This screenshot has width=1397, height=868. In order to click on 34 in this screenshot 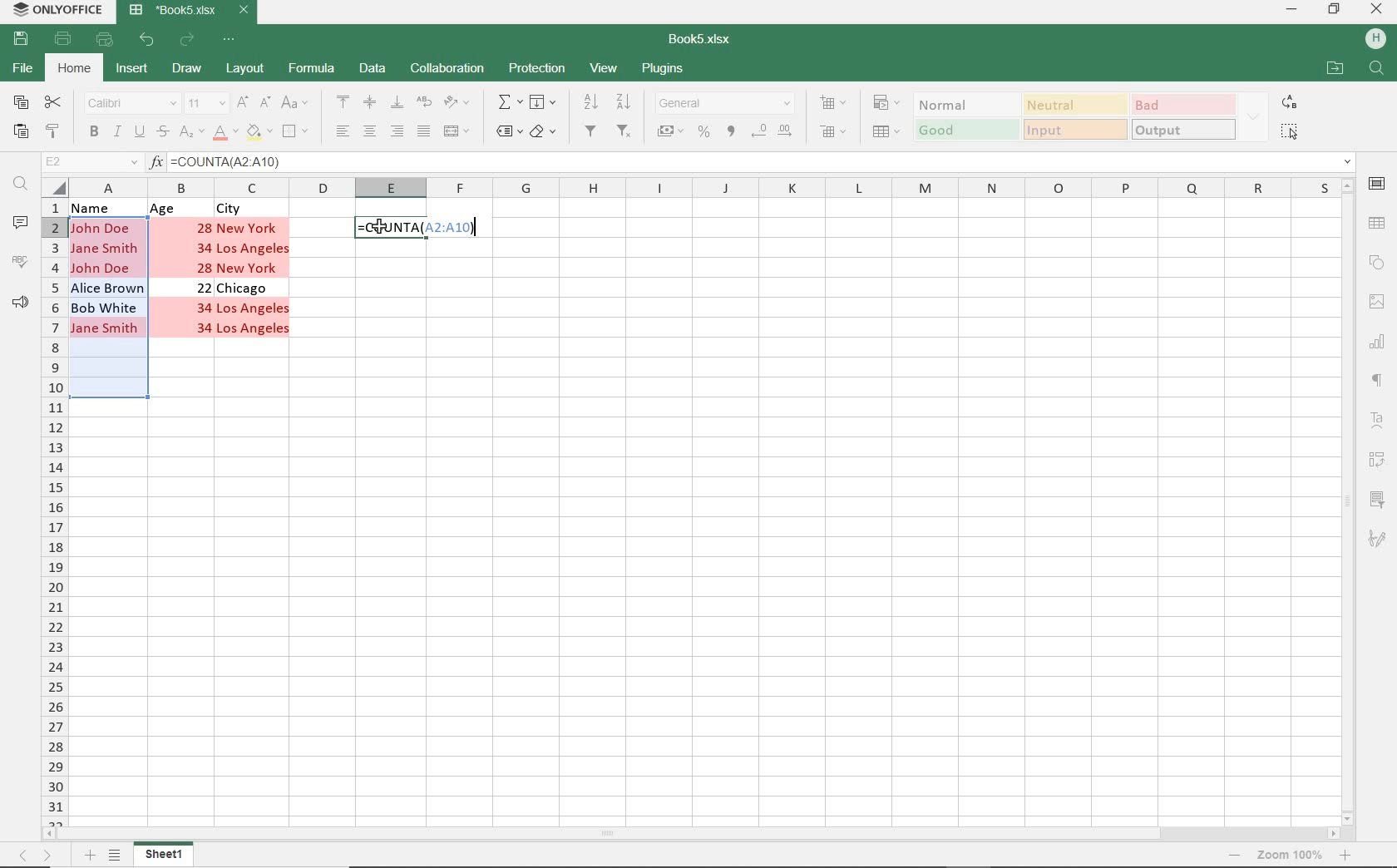, I will do `click(205, 332)`.